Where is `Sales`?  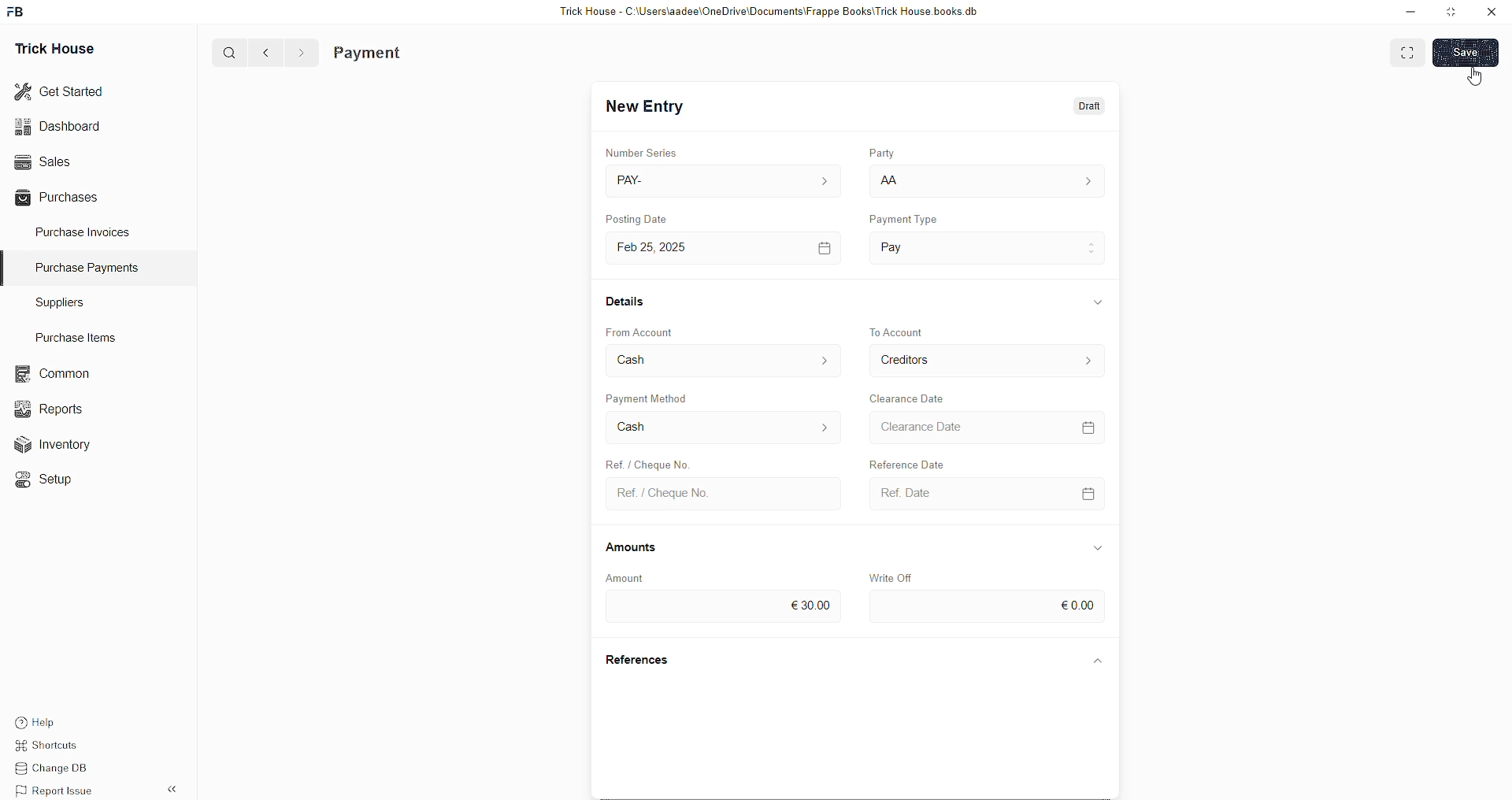 Sales is located at coordinates (41, 160).